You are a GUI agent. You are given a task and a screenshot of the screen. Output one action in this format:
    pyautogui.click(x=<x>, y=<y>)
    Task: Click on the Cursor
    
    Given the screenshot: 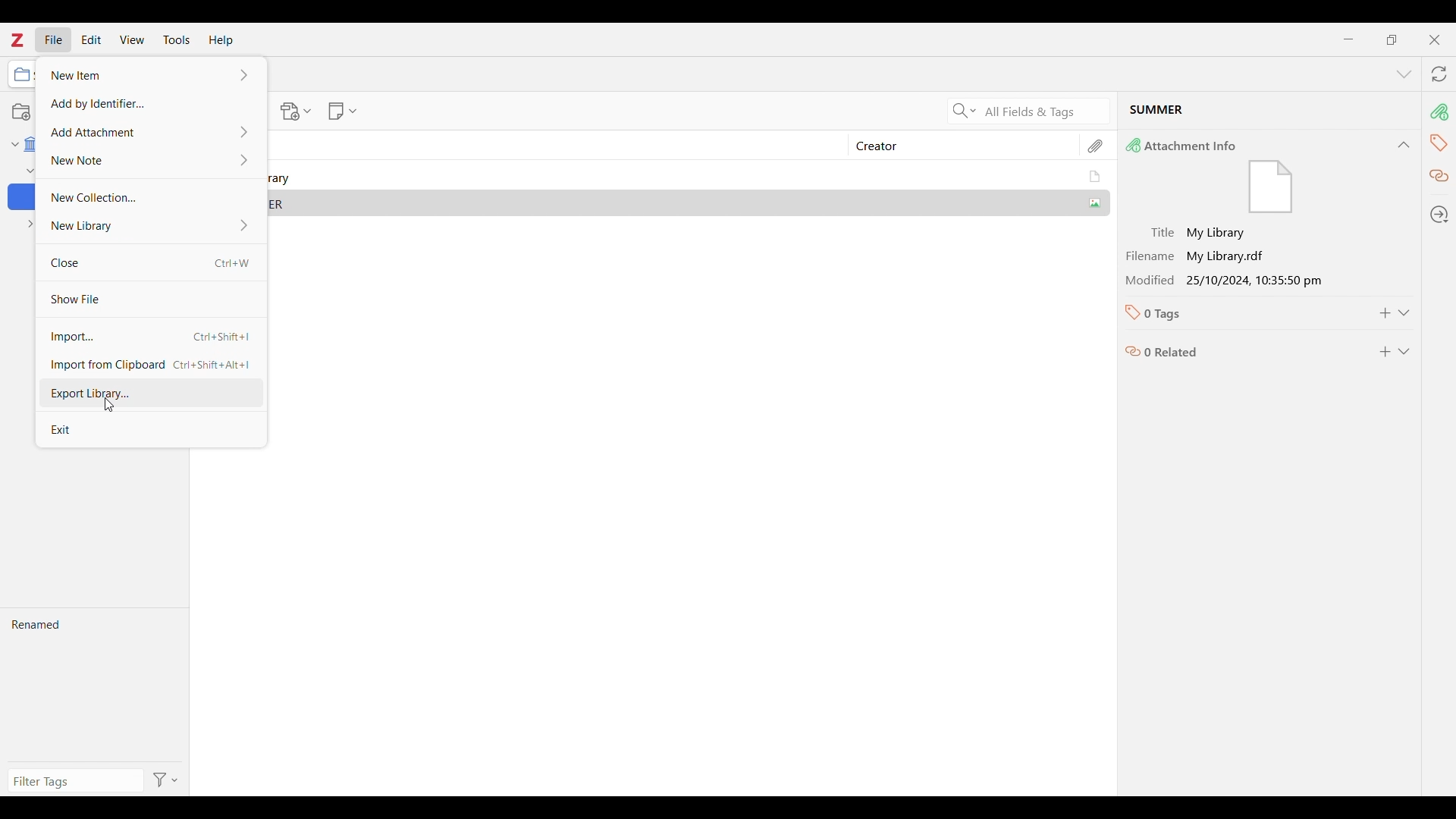 What is the action you would take?
    pyautogui.click(x=108, y=406)
    